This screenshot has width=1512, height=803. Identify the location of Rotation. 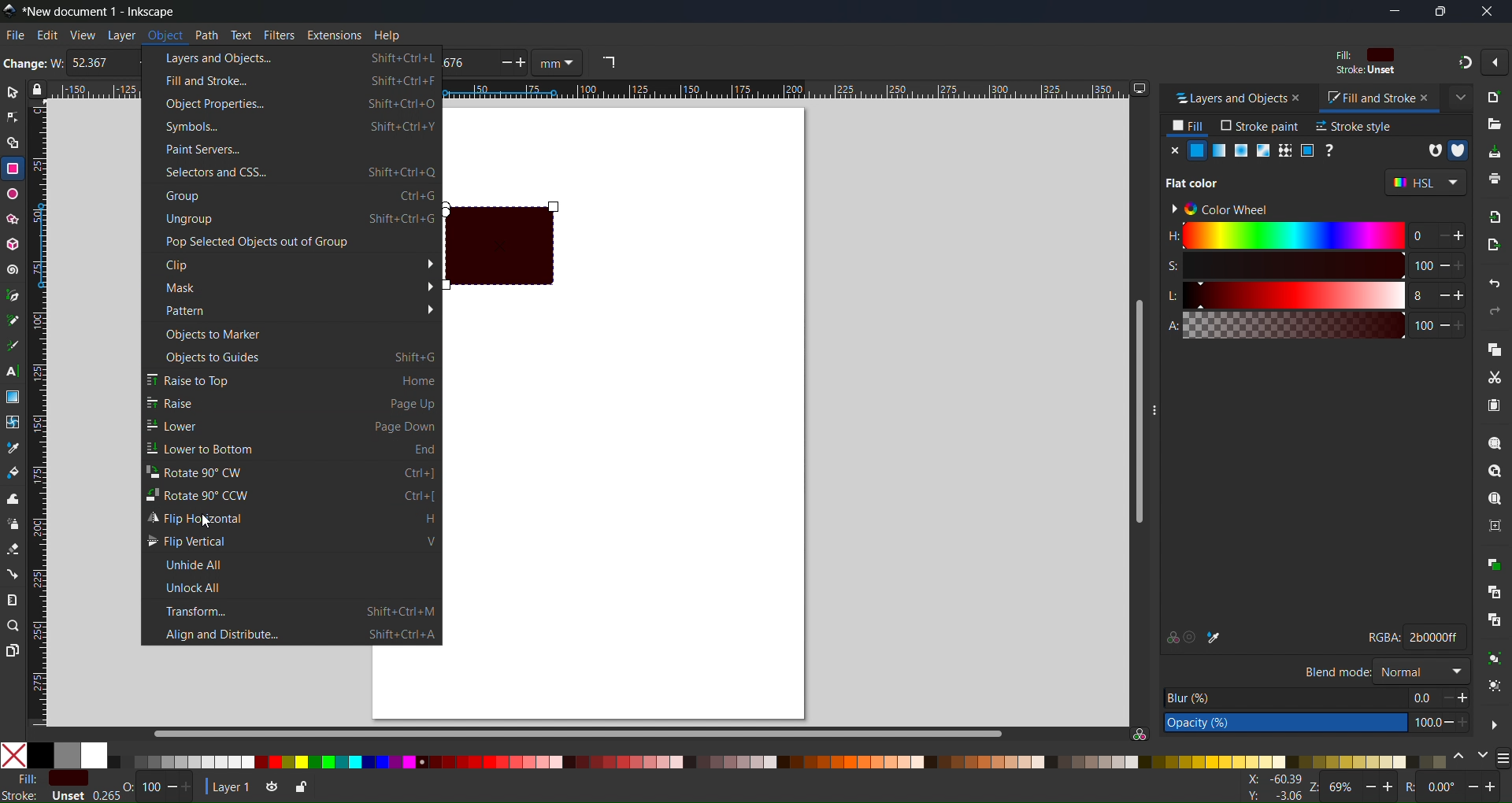
(1414, 787).